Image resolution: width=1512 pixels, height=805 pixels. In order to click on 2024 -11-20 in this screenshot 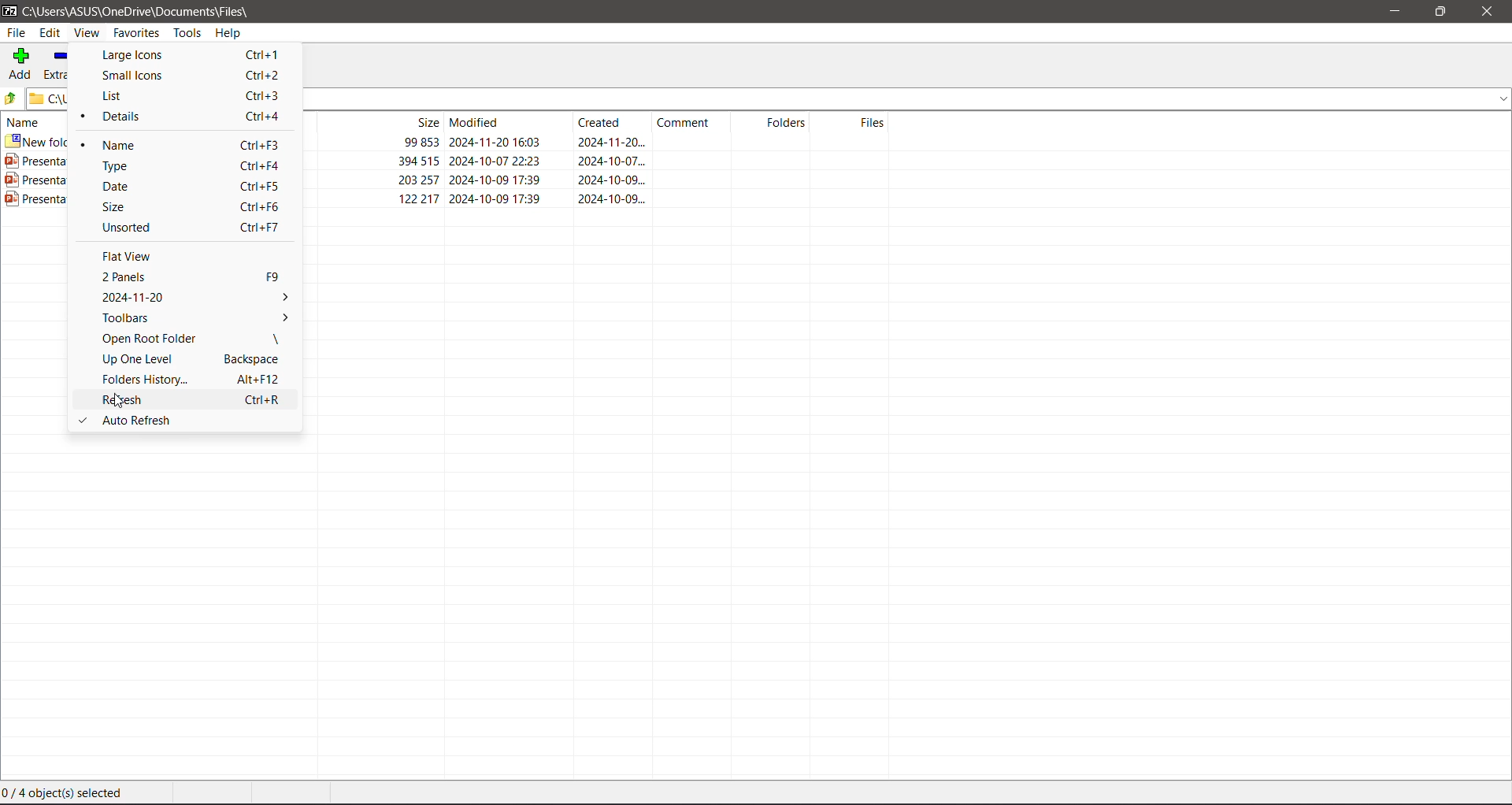, I will do `click(193, 296)`.